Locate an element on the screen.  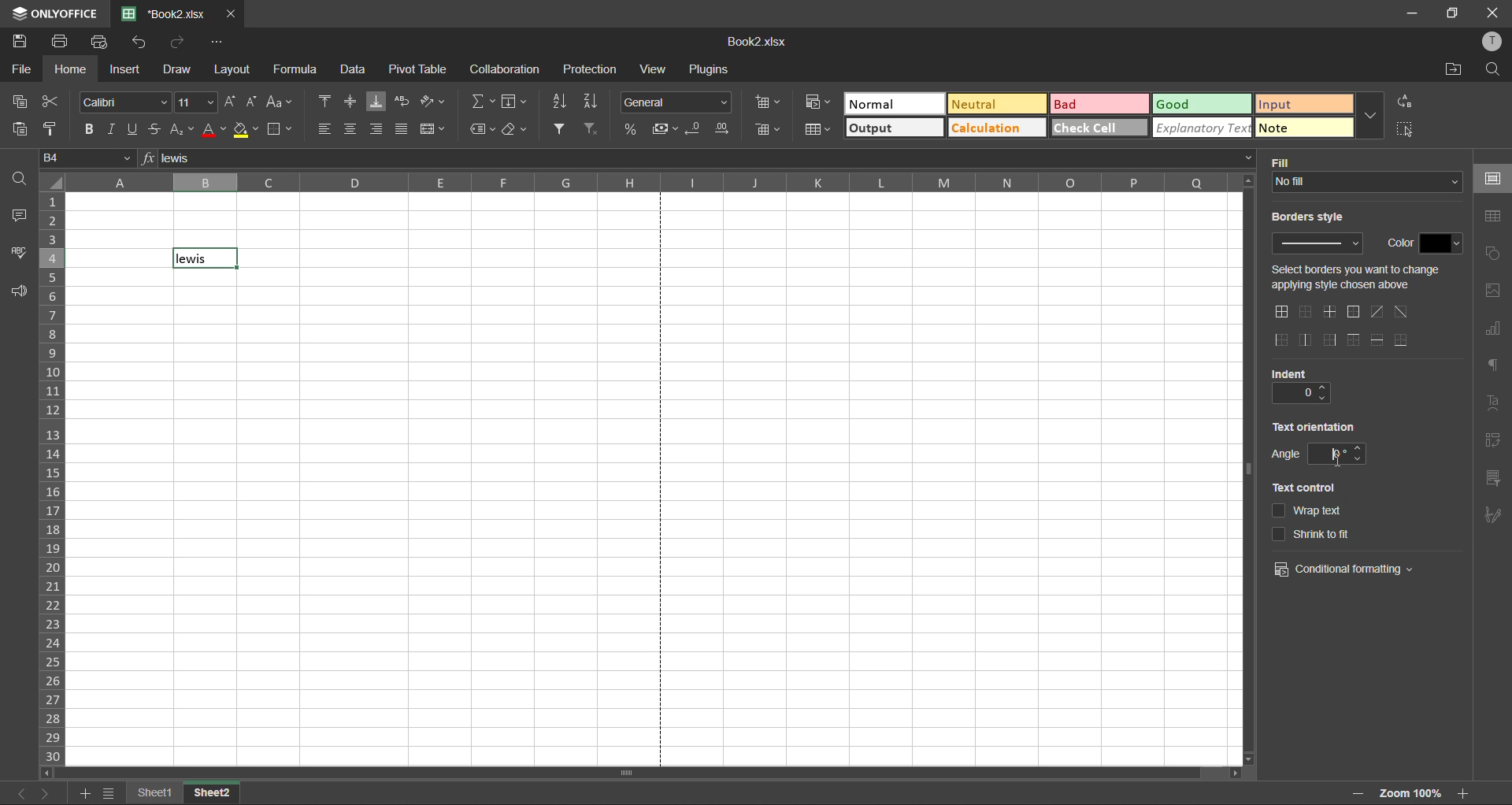
selected cell with text "lewis" is located at coordinates (206, 258).